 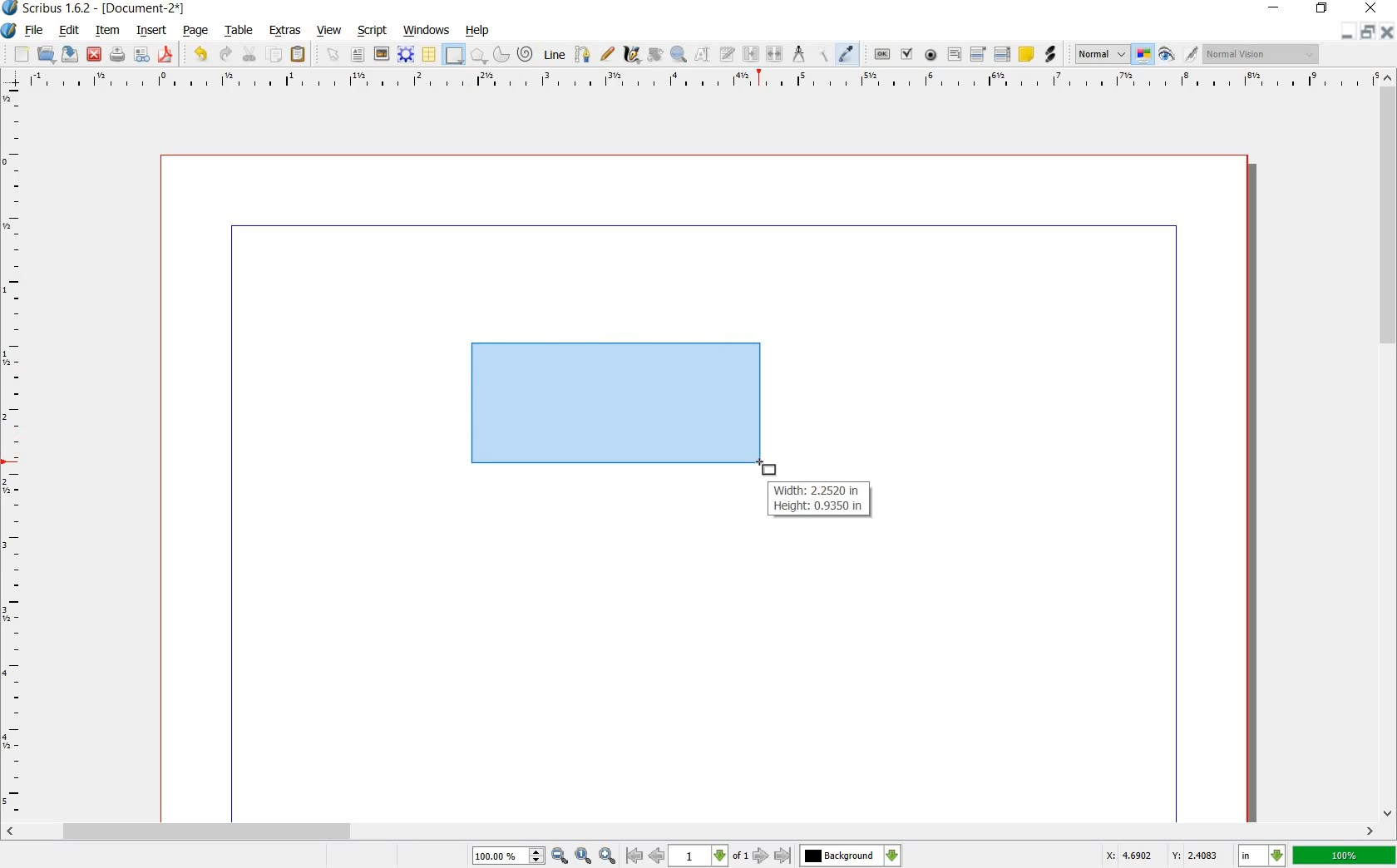 I want to click on EDIT CONTENTS OF FRAME, so click(x=703, y=55).